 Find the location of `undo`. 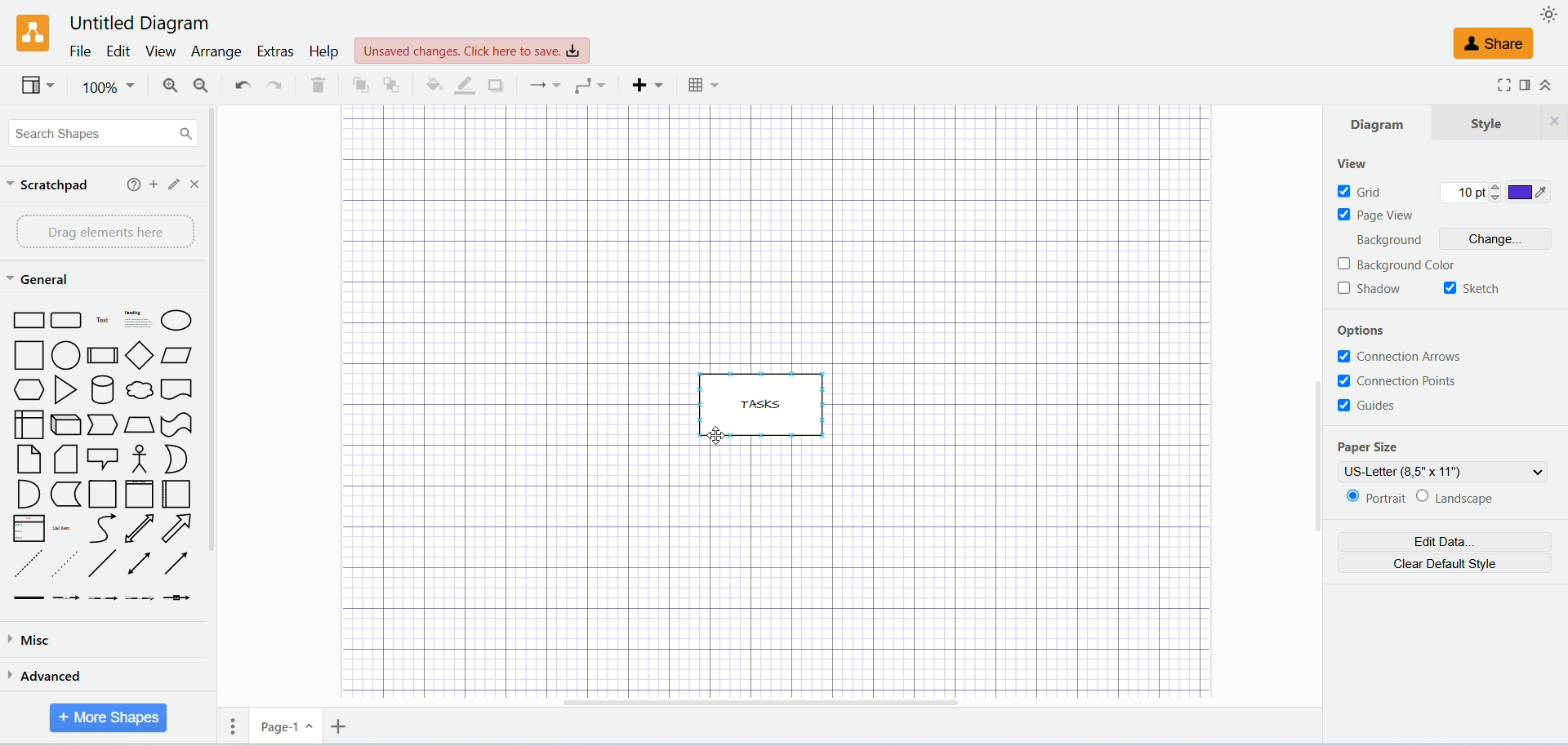

undo is located at coordinates (240, 86).